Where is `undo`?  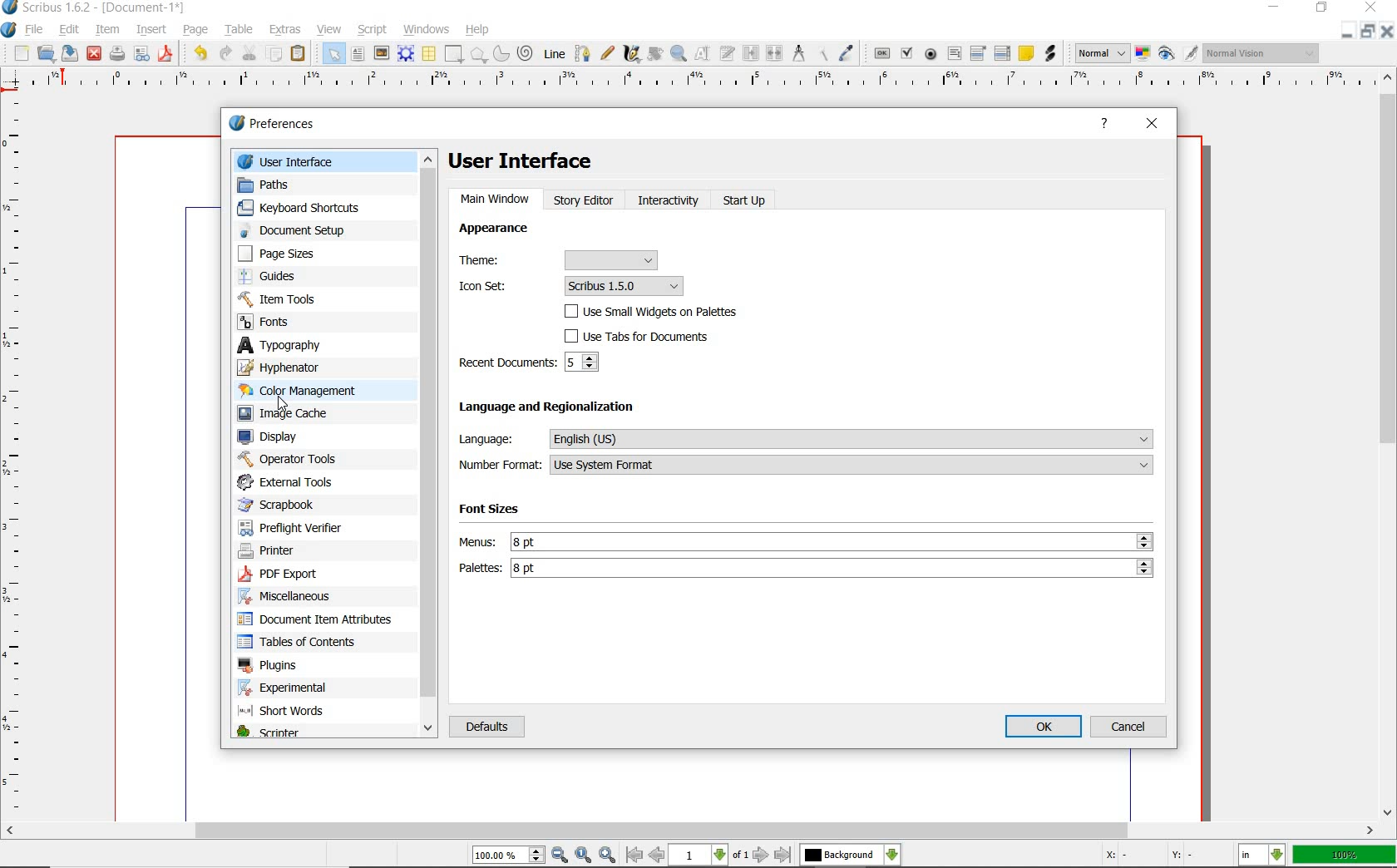 undo is located at coordinates (200, 53).